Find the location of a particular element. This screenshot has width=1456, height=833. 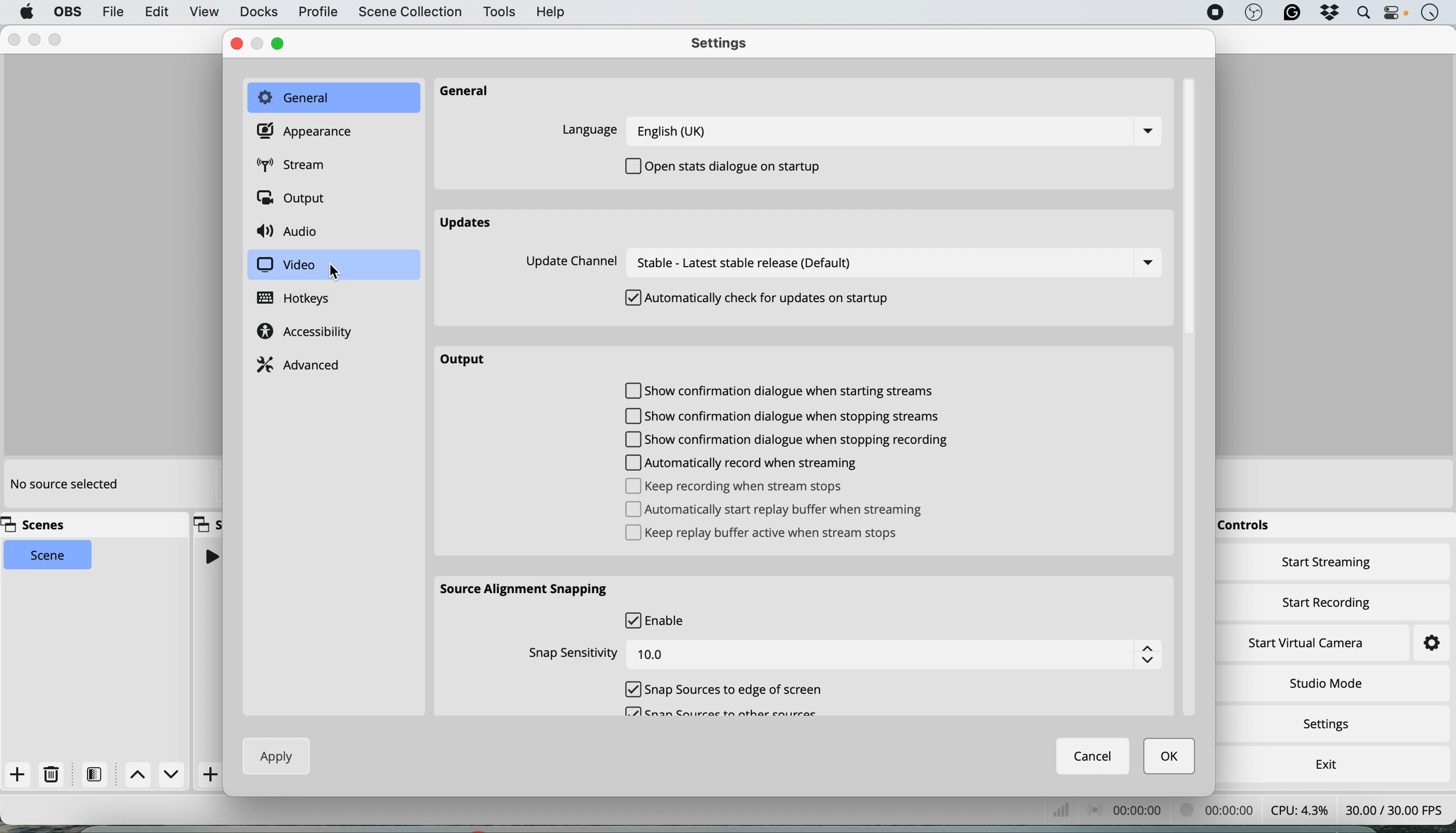

scene is located at coordinates (49, 556).